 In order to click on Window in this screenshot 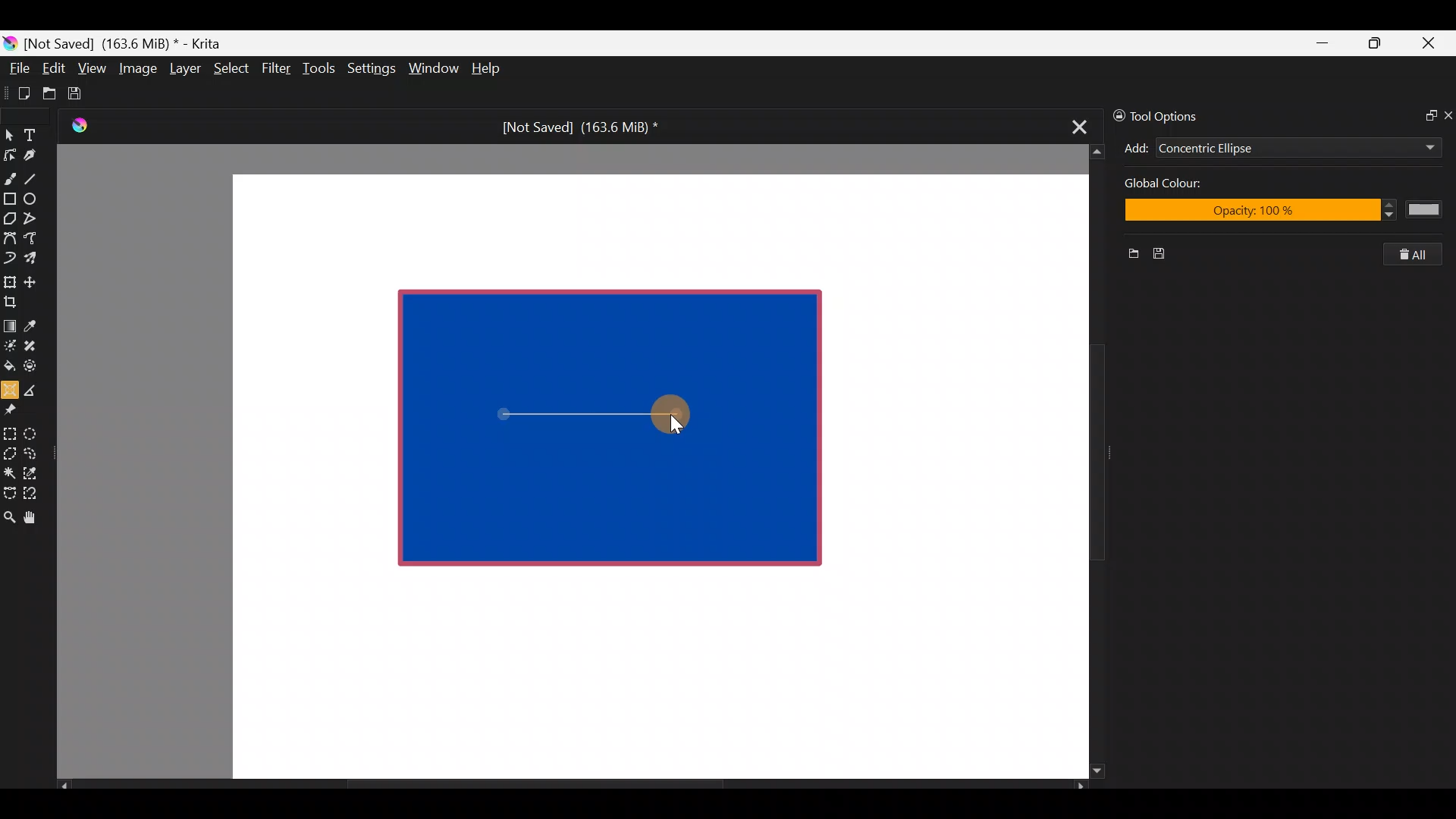, I will do `click(433, 70)`.